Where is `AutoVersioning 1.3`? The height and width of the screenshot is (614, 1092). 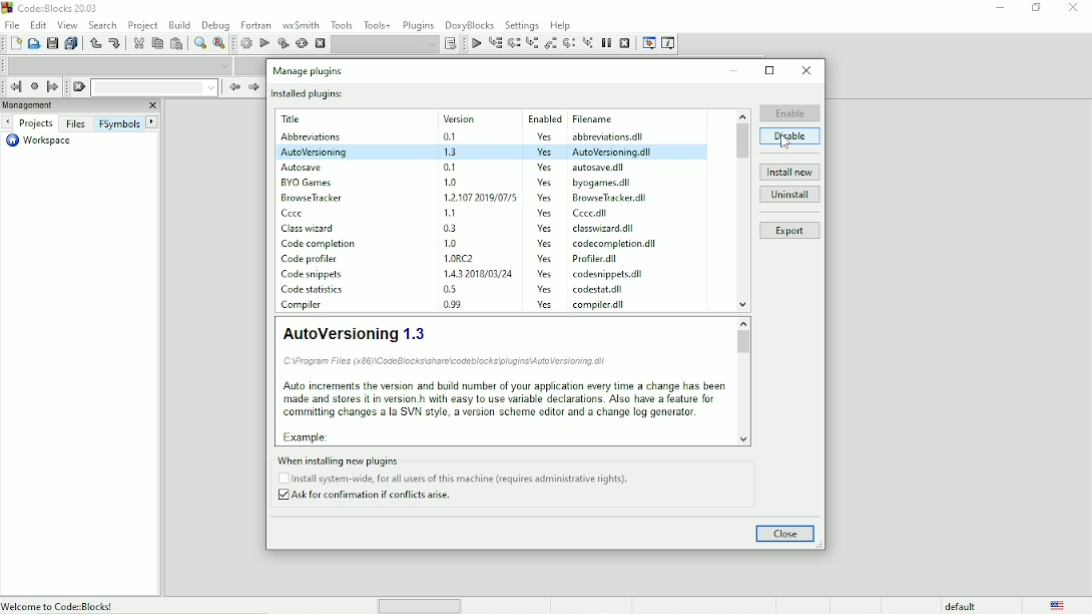 AutoVersioning 1.3 is located at coordinates (352, 332).